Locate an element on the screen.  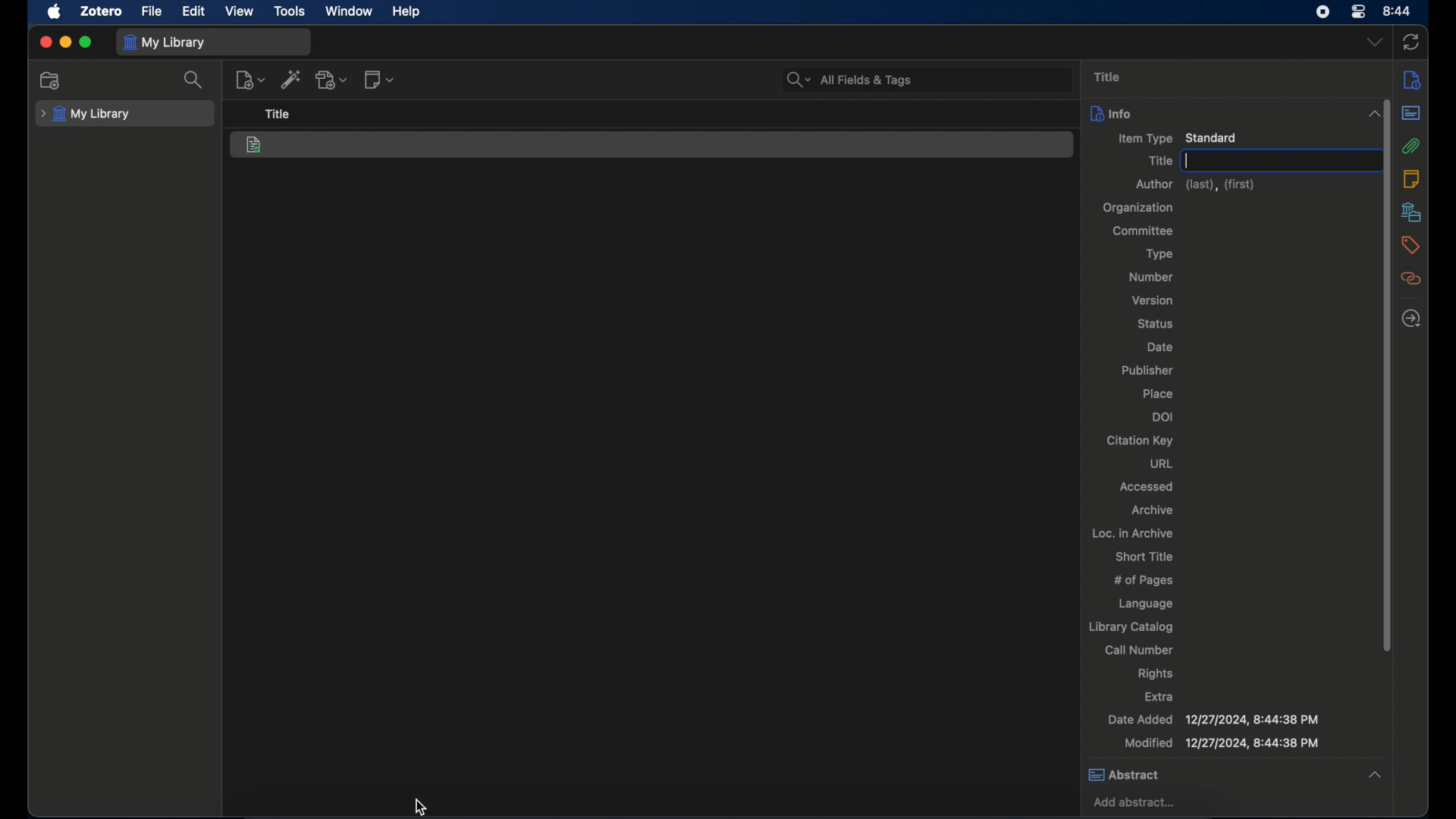
8.44 is located at coordinates (1398, 10).